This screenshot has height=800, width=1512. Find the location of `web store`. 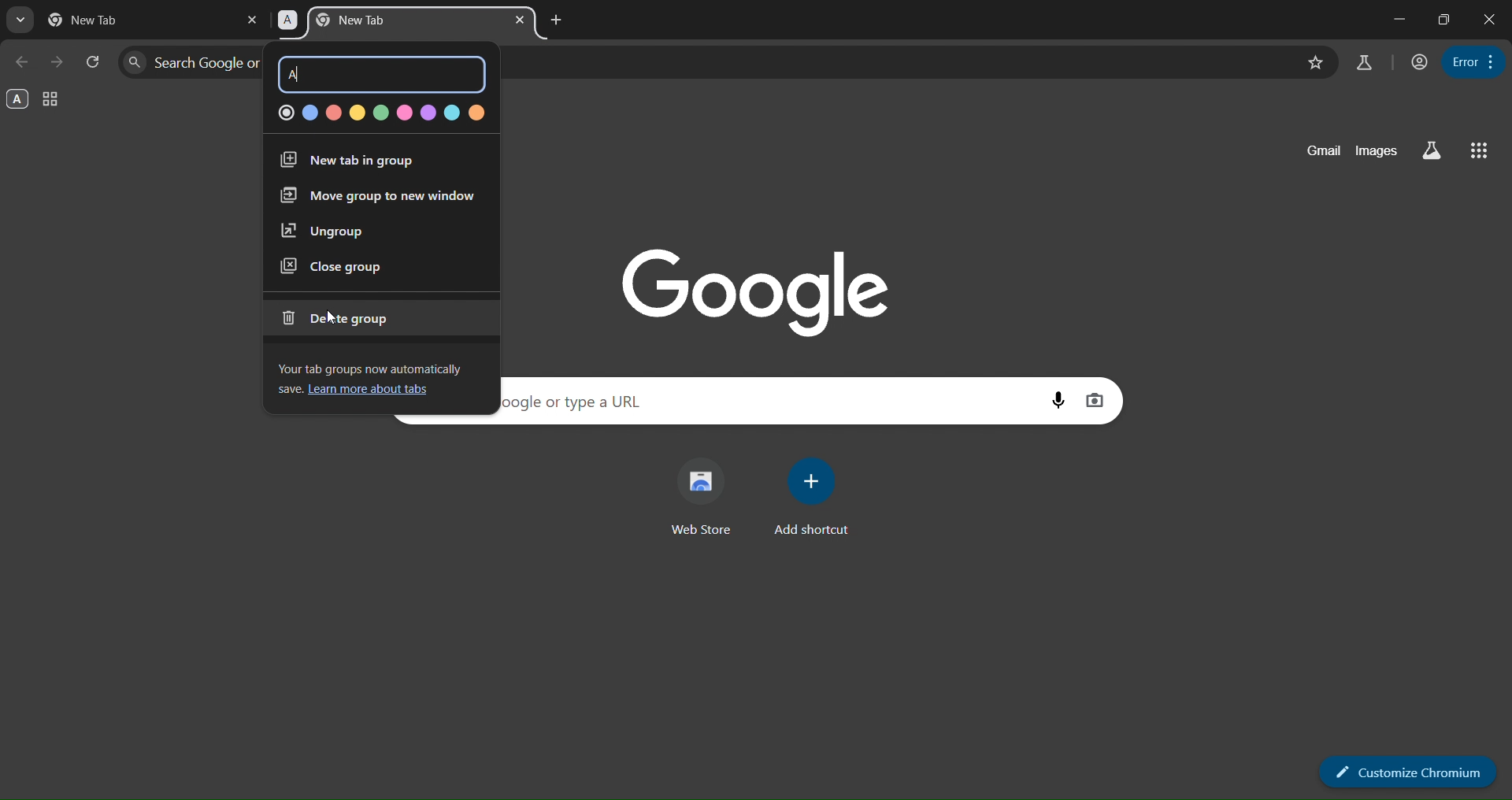

web store is located at coordinates (707, 498).